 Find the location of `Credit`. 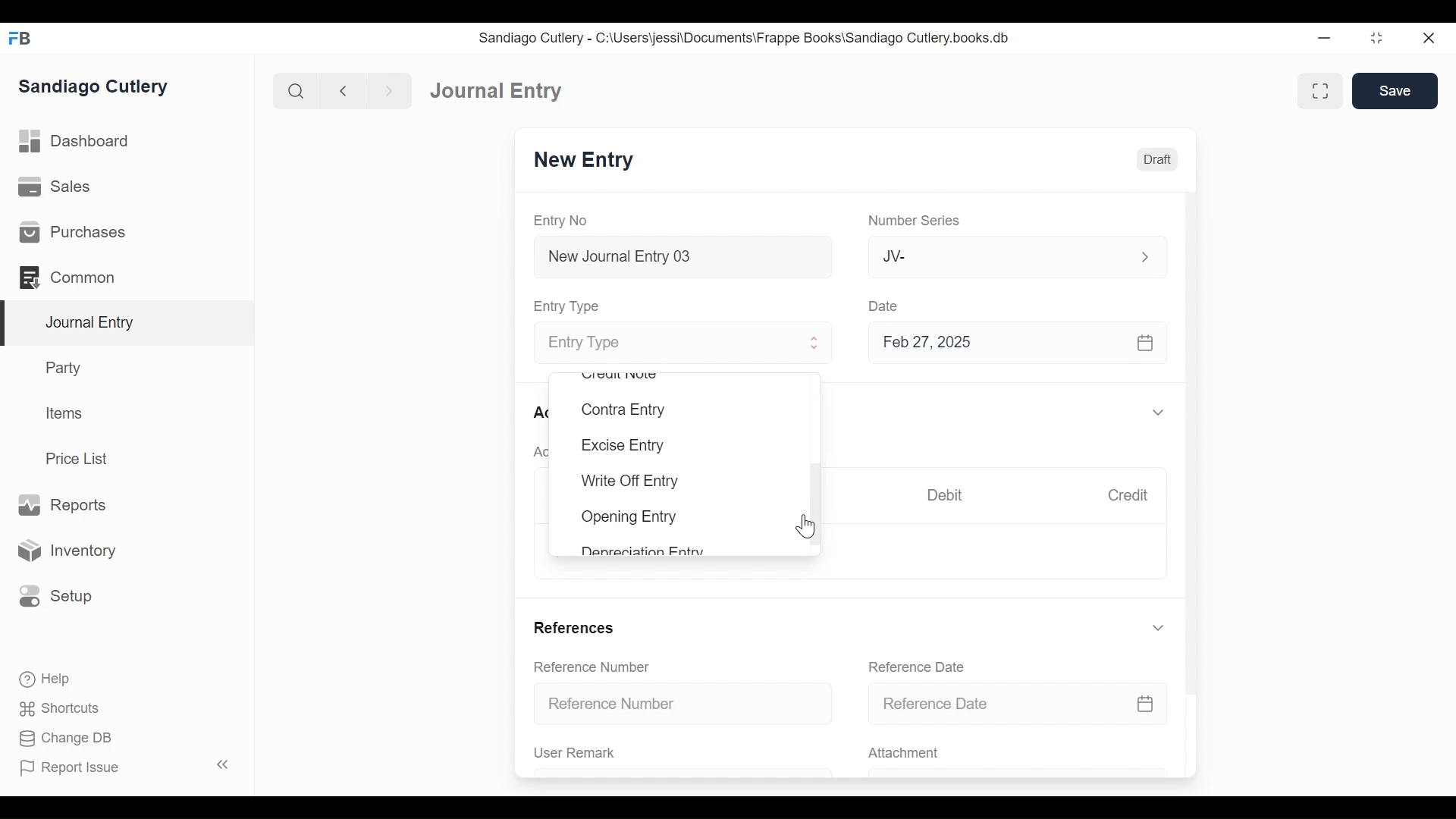

Credit is located at coordinates (1130, 495).